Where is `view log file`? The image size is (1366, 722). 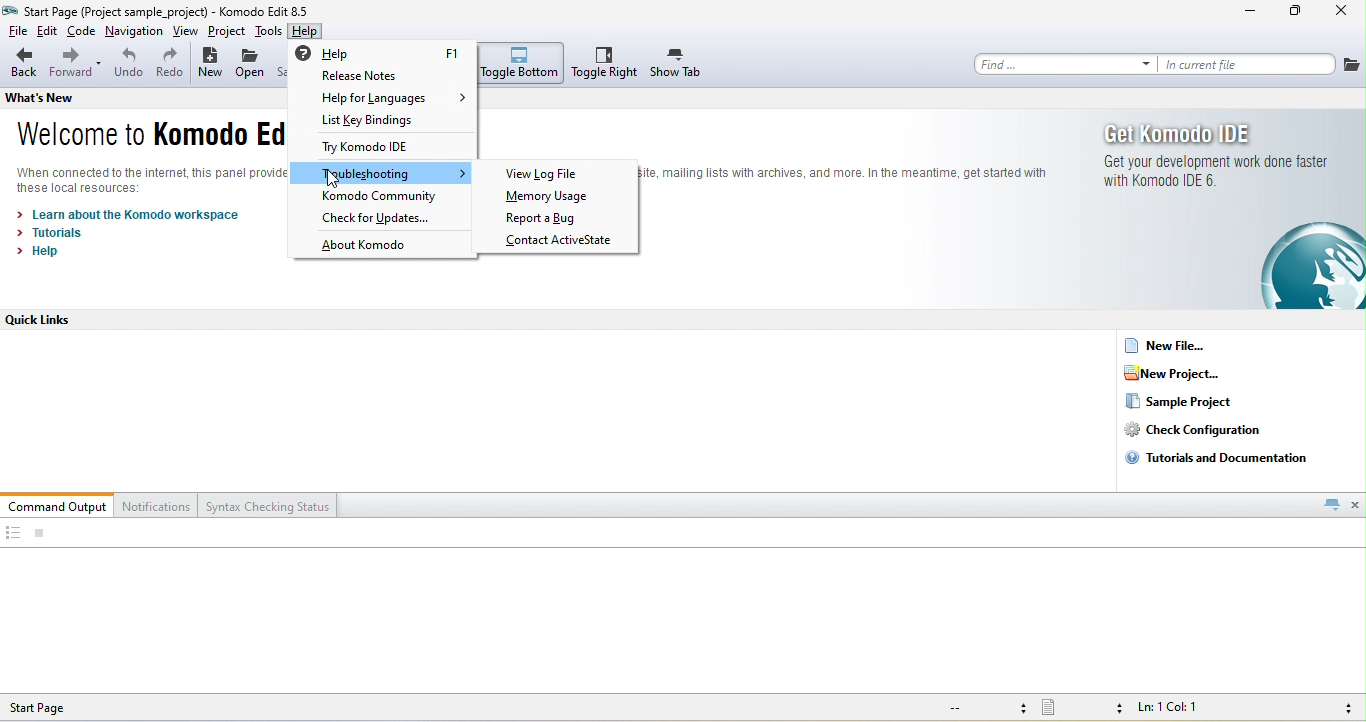
view log file is located at coordinates (547, 173).